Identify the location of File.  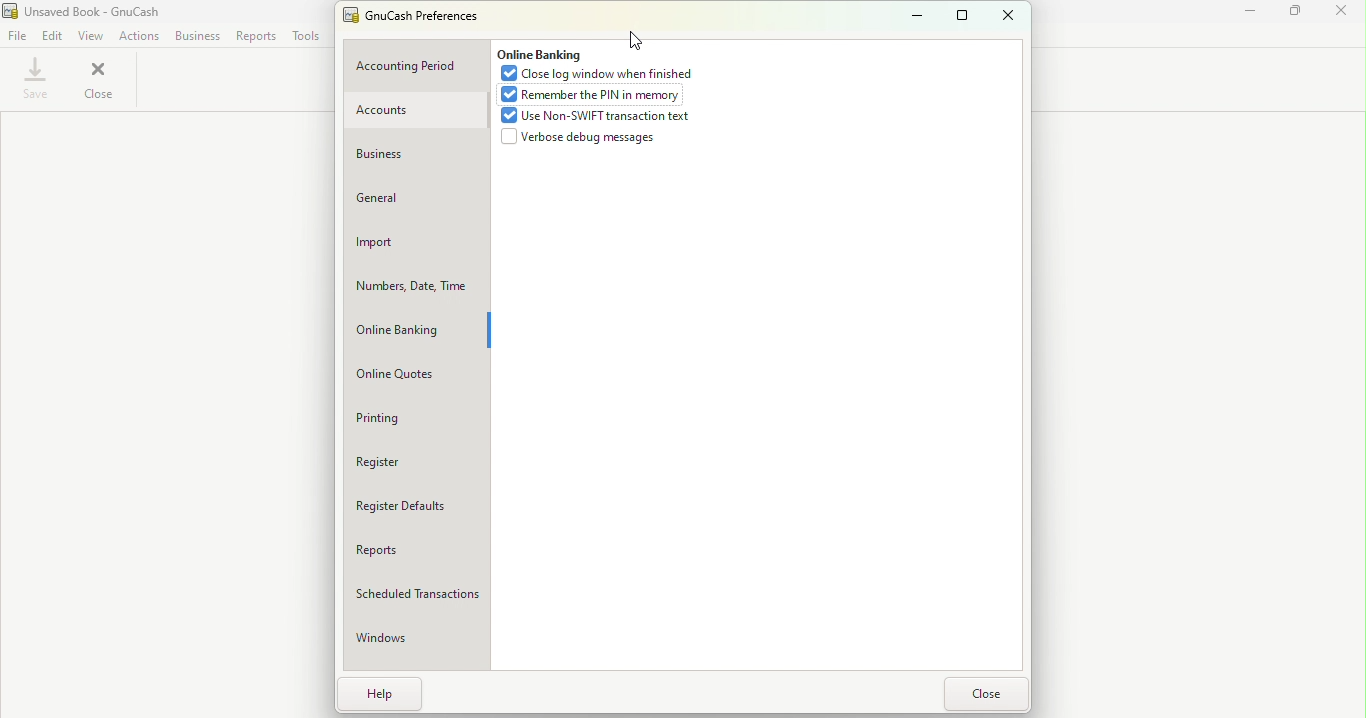
(18, 36).